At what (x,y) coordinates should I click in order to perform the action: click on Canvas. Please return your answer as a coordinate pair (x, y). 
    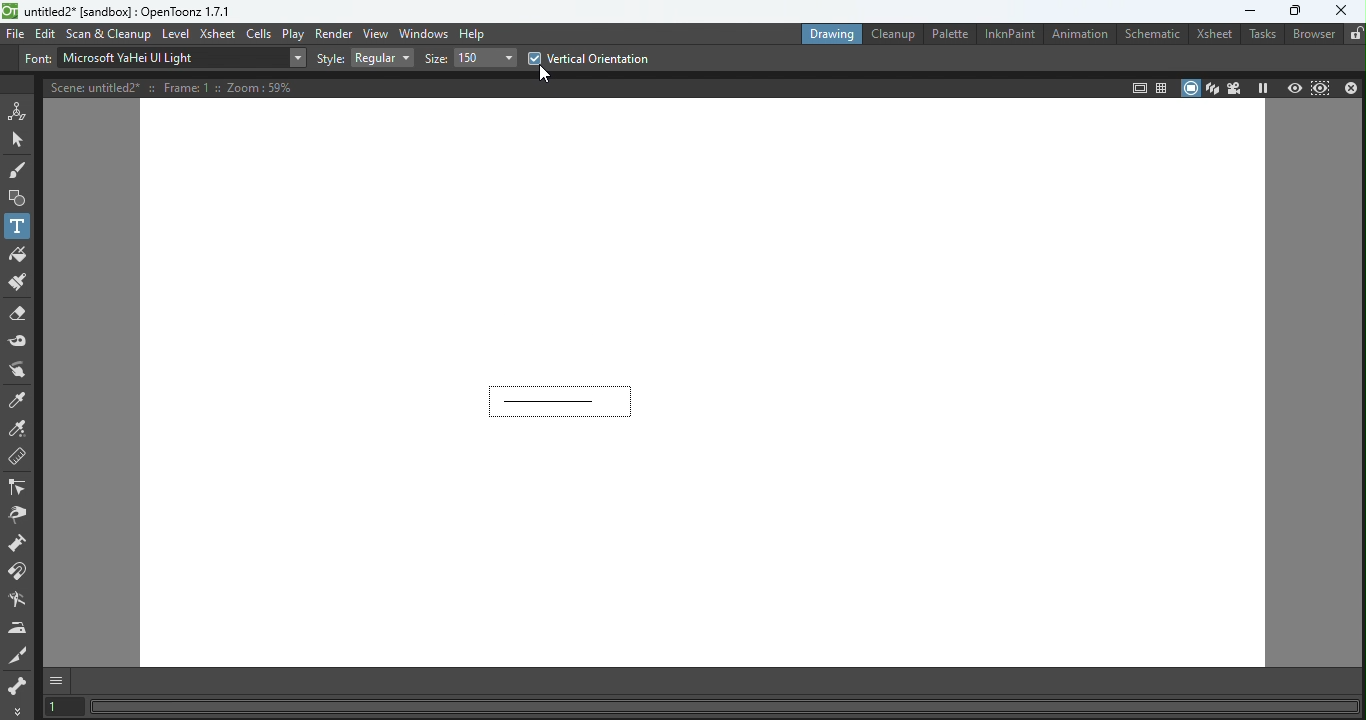
    Looking at the image, I should click on (704, 384).